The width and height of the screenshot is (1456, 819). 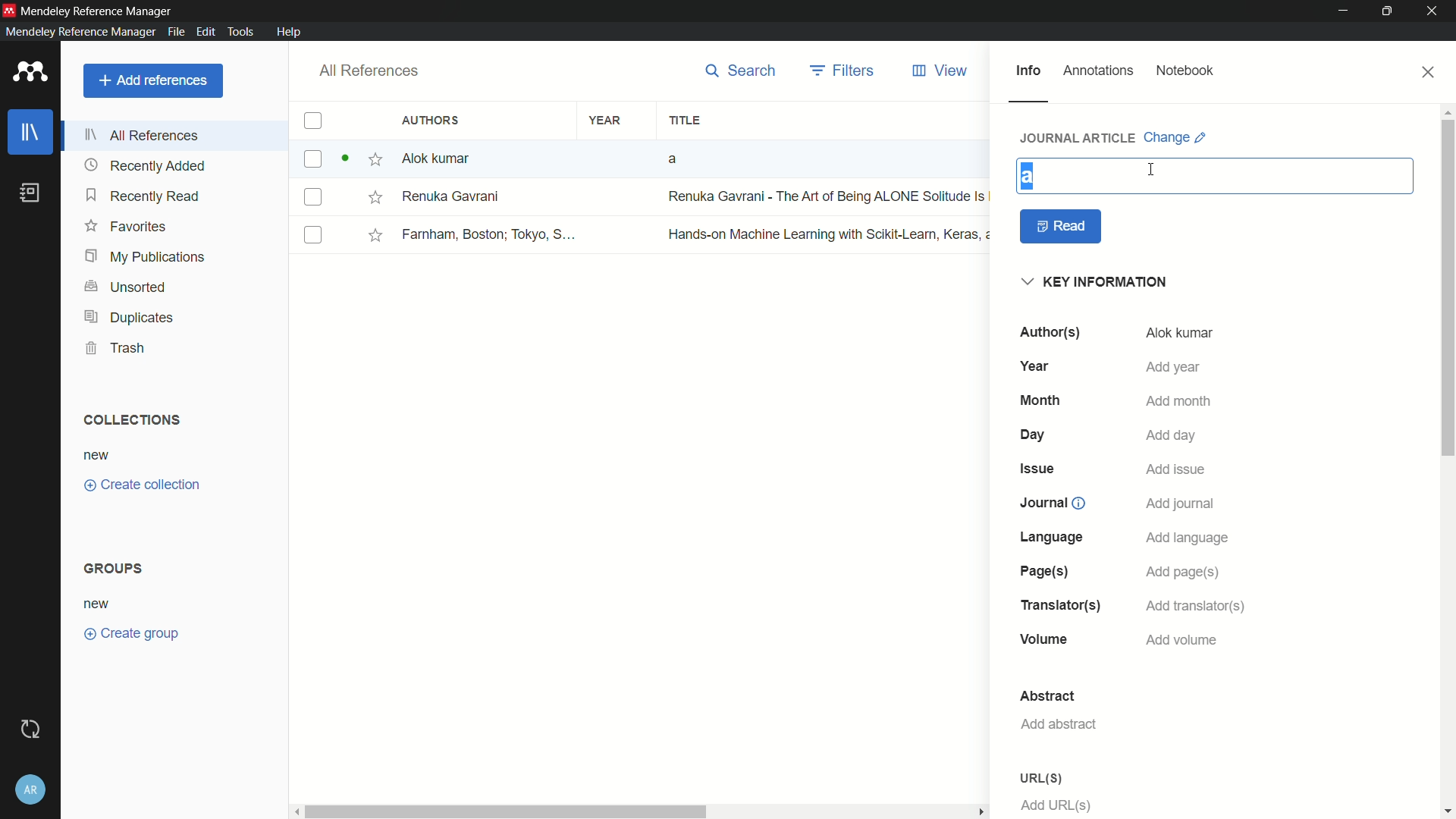 What do you see at coordinates (684, 121) in the screenshot?
I see `title` at bounding box center [684, 121].